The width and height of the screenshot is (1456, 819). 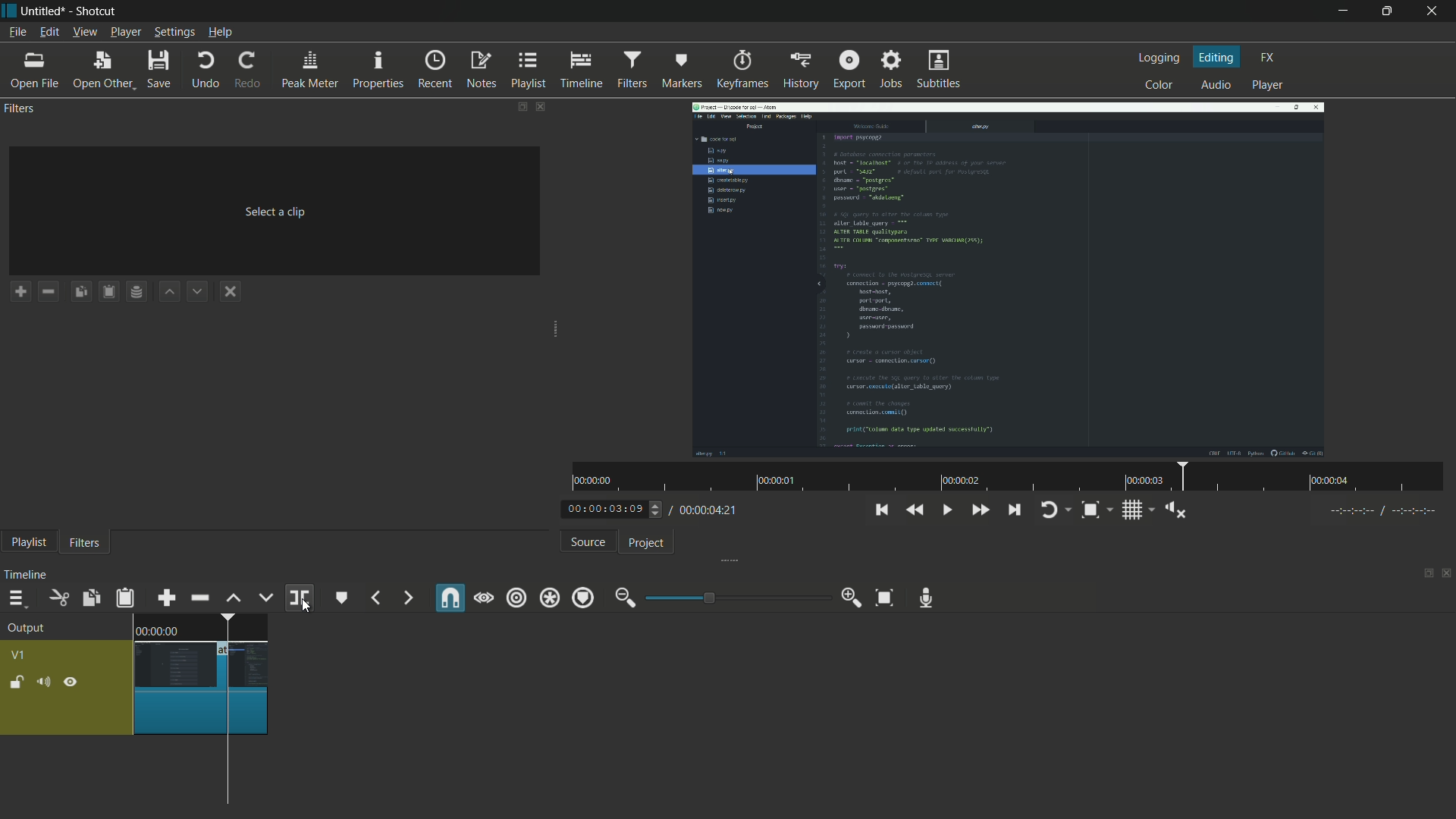 What do you see at coordinates (645, 544) in the screenshot?
I see `project` at bounding box center [645, 544].